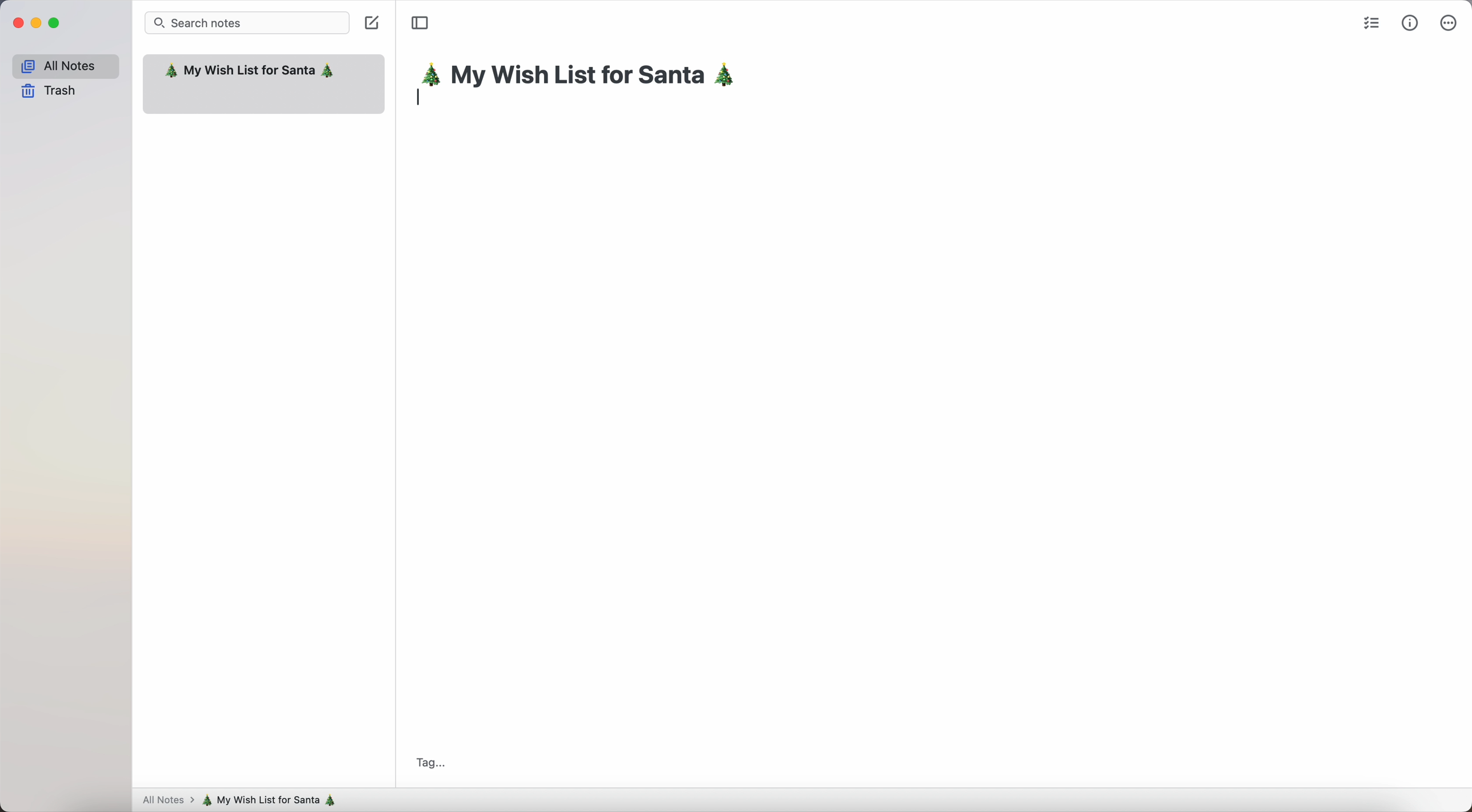  What do you see at coordinates (585, 77) in the screenshot?
I see `my wish list for Santa` at bounding box center [585, 77].